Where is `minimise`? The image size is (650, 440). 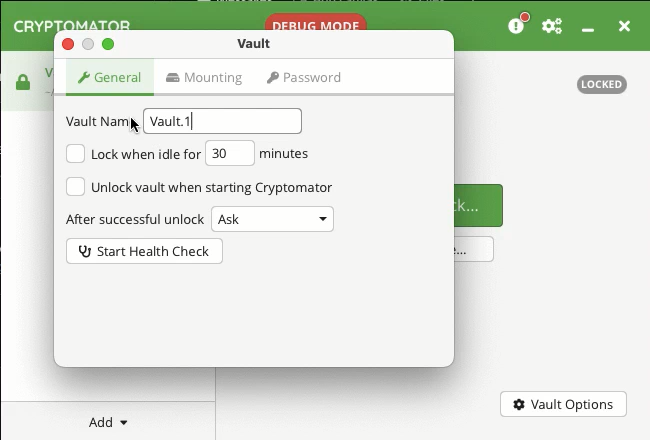 minimise is located at coordinates (592, 29).